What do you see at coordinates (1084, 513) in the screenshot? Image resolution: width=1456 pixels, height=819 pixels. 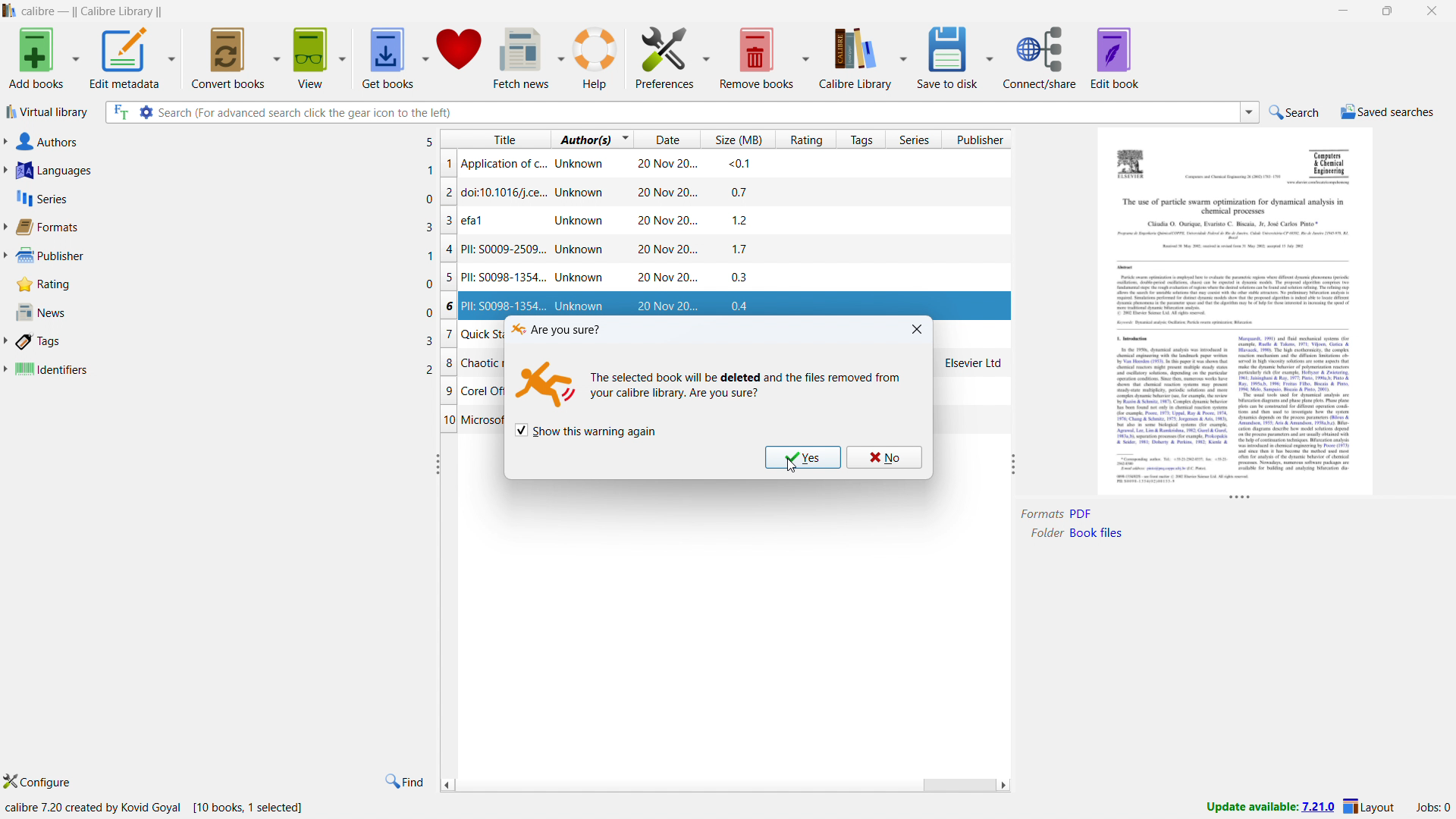 I see `` at bounding box center [1084, 513].